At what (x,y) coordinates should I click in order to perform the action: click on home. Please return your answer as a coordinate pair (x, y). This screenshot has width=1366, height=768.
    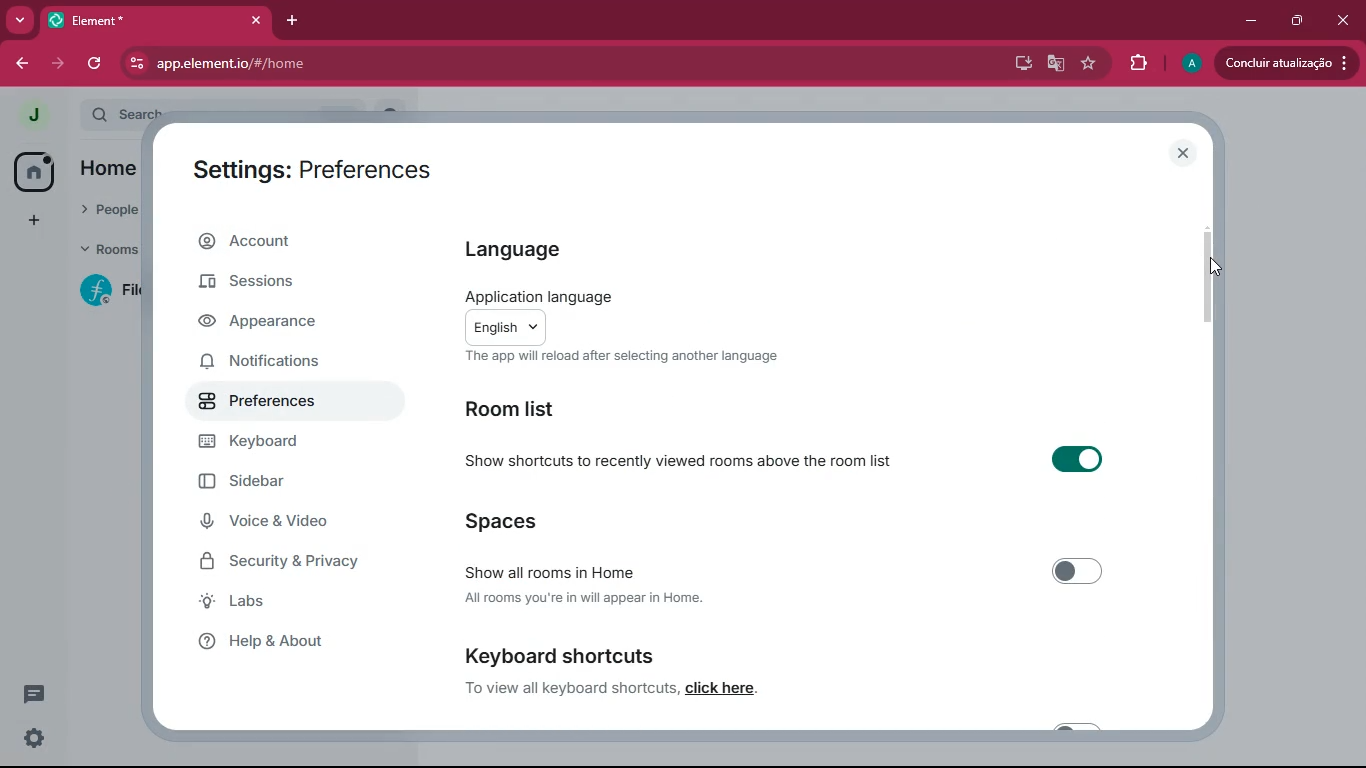
    Looking at the image, I should click on (34, 172).